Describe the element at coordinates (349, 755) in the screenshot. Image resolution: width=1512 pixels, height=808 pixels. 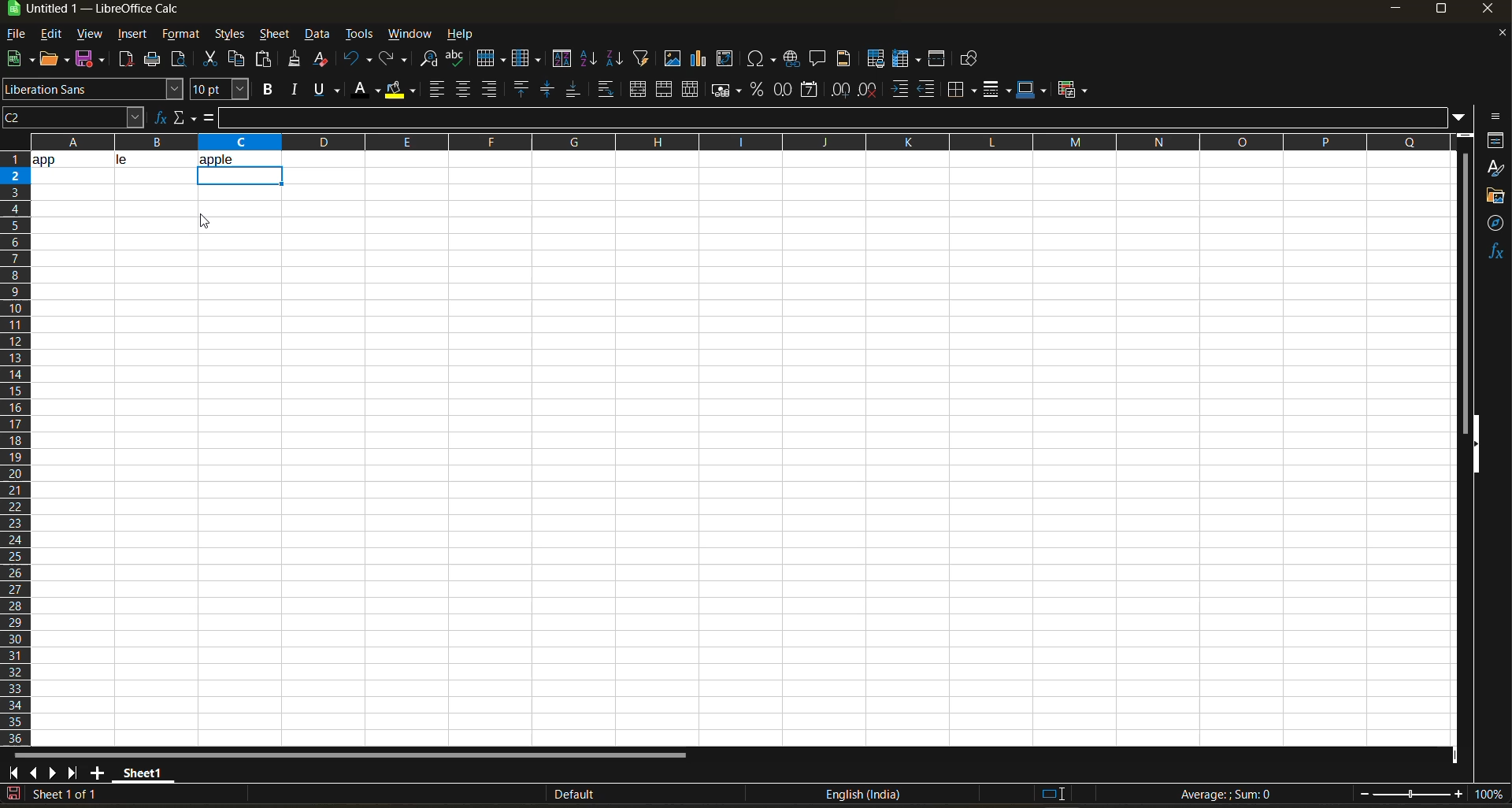
I see `horizontal scroll bar` at that location.